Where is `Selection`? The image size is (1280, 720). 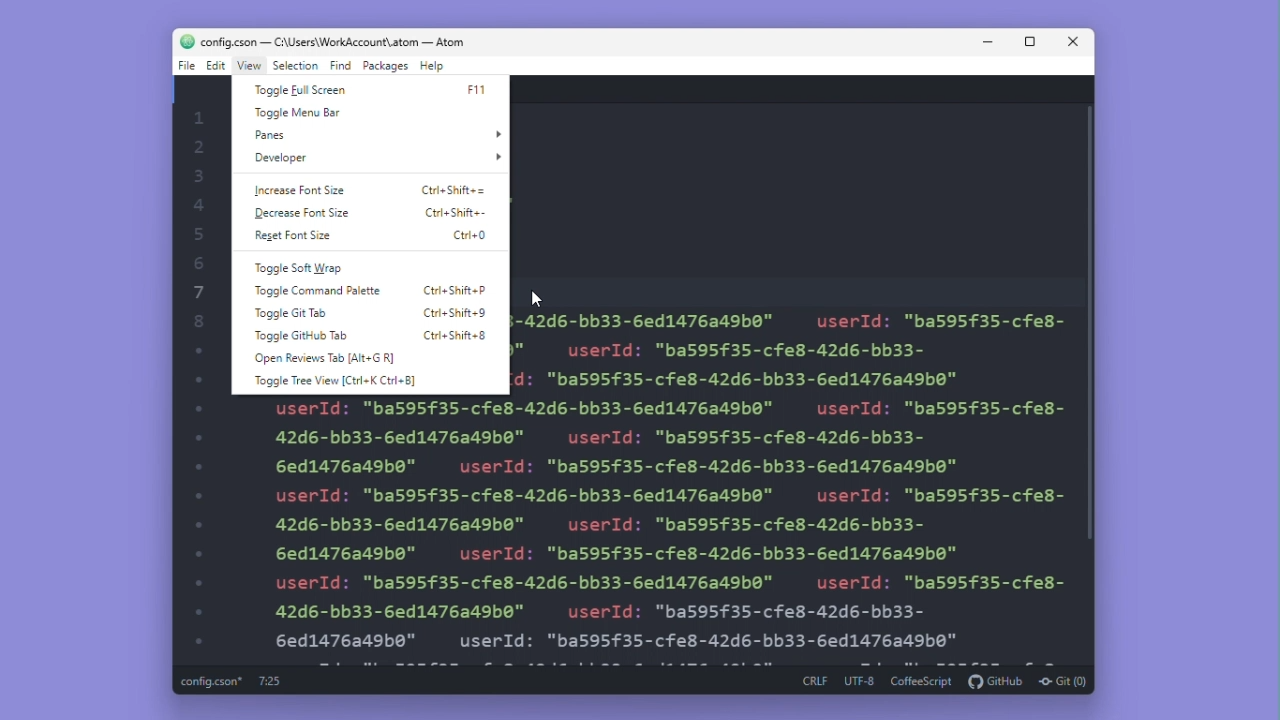
Selection is located at coordinates (297, 66).